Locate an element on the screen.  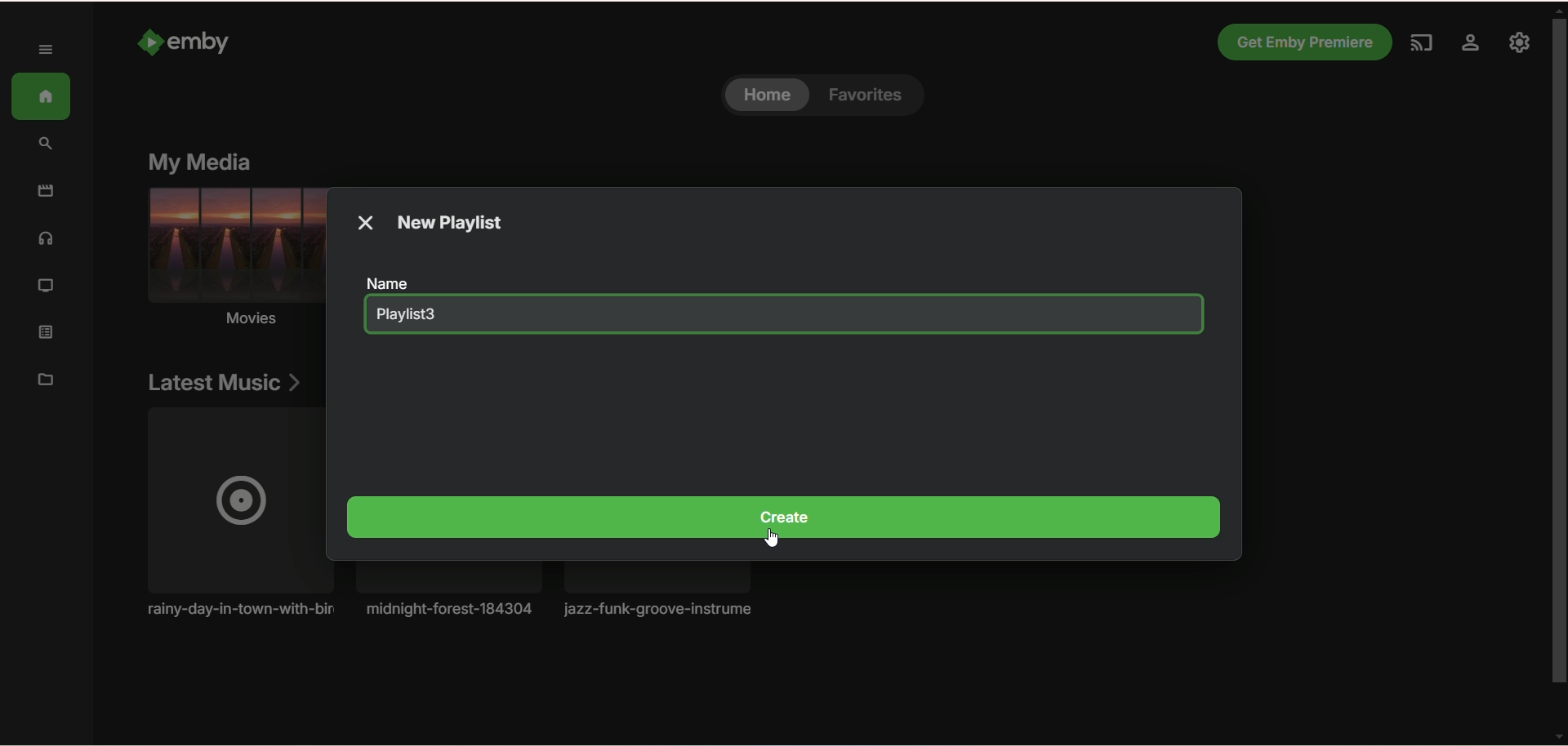
blank space is located at coordinates (830, 314).